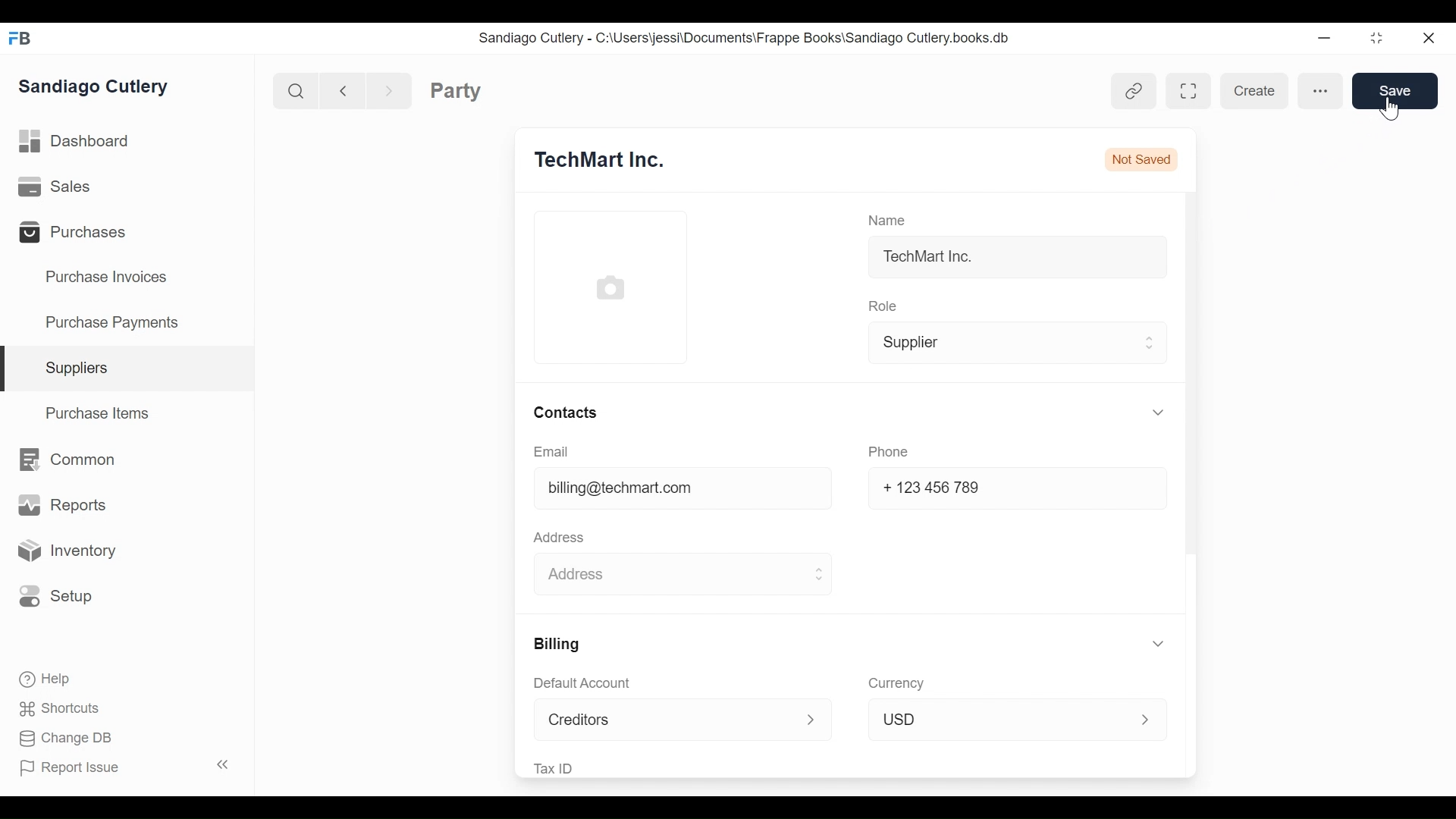  What do you see at coordinates (566, 410) in the screenshot?
I see `Contacts` at bounding box center [566, 410].